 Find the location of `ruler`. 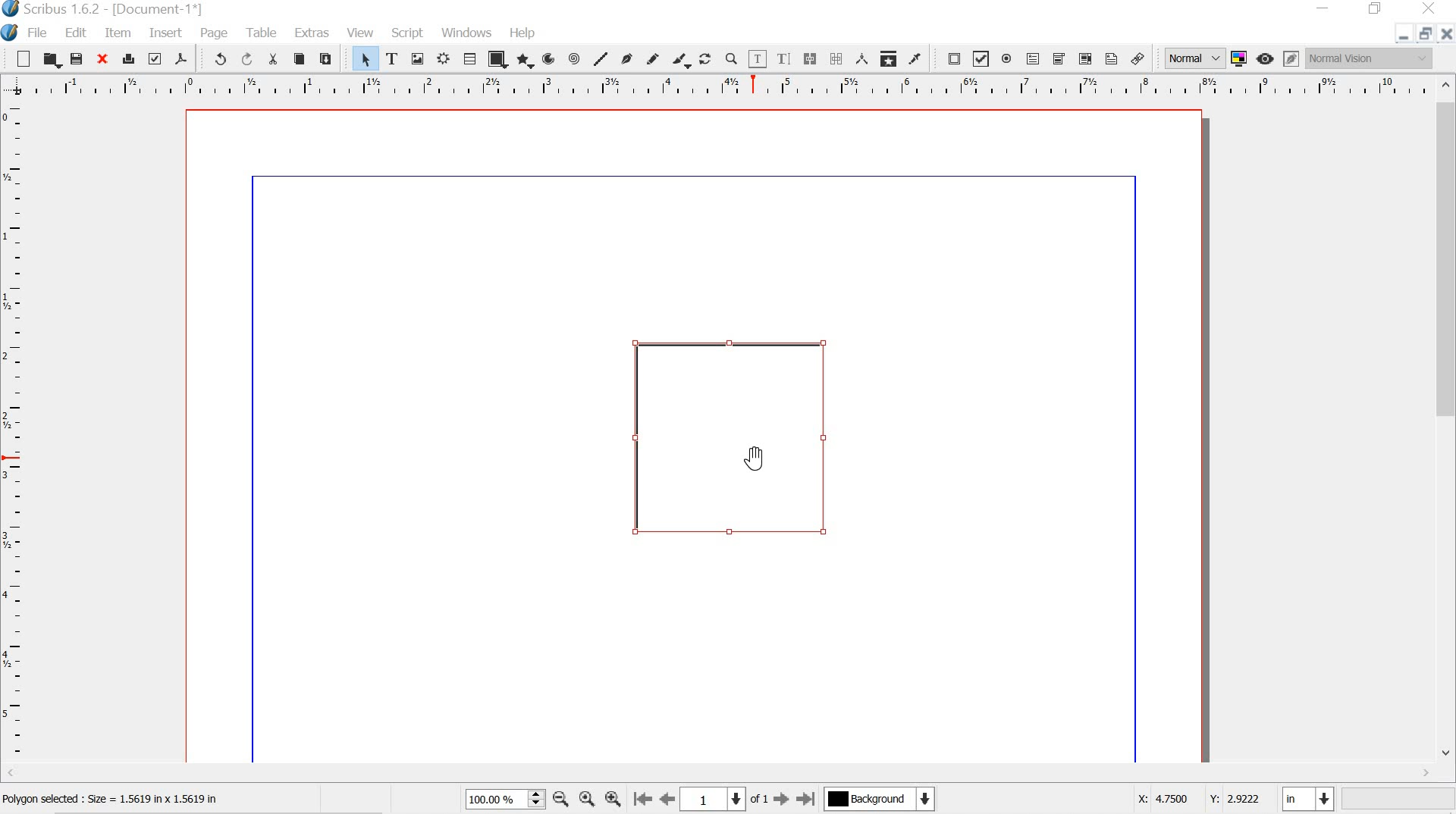

ruler is located at coordinates (716, 86).